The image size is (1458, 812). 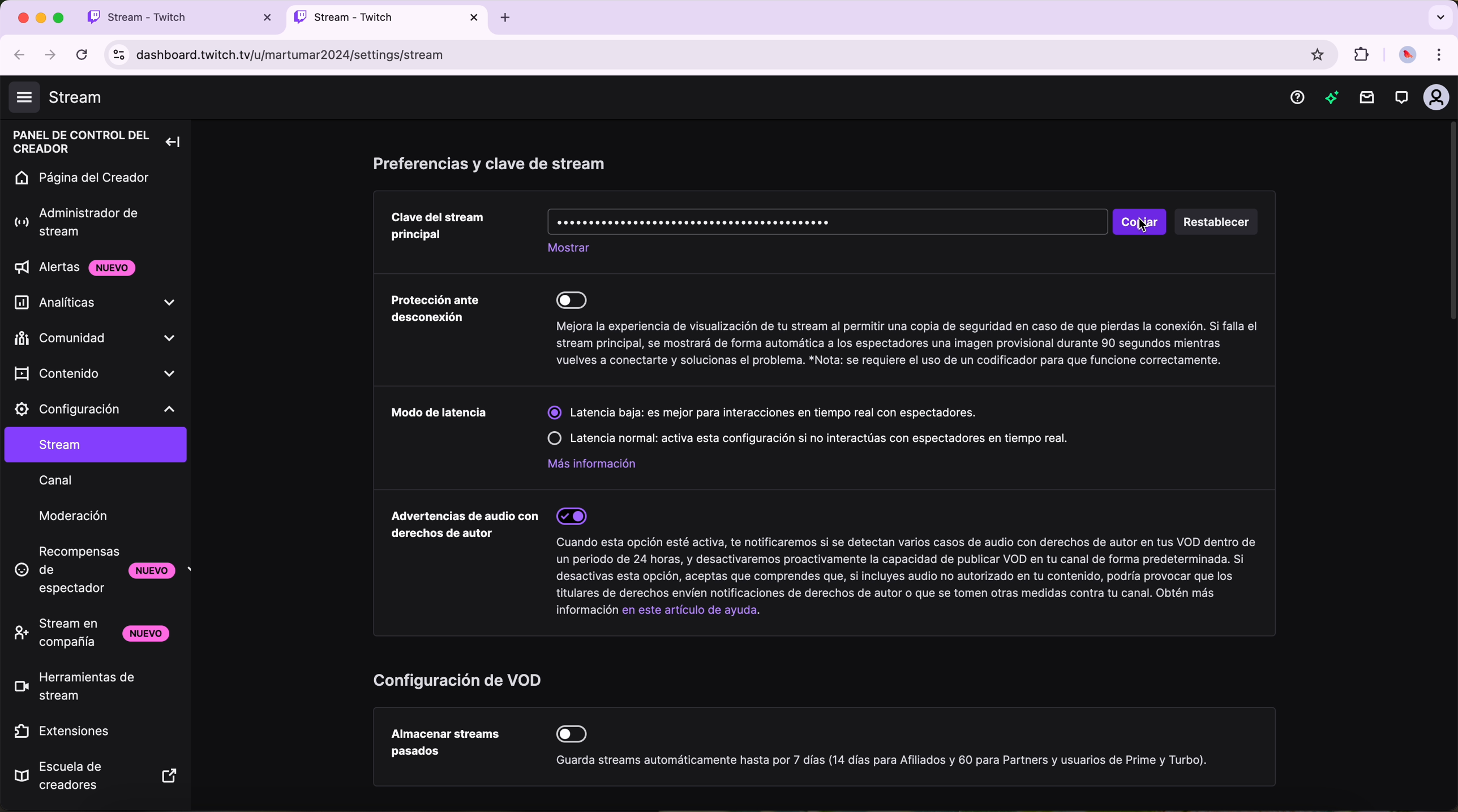 I want to click on close tab, so click(x=16, y=19).